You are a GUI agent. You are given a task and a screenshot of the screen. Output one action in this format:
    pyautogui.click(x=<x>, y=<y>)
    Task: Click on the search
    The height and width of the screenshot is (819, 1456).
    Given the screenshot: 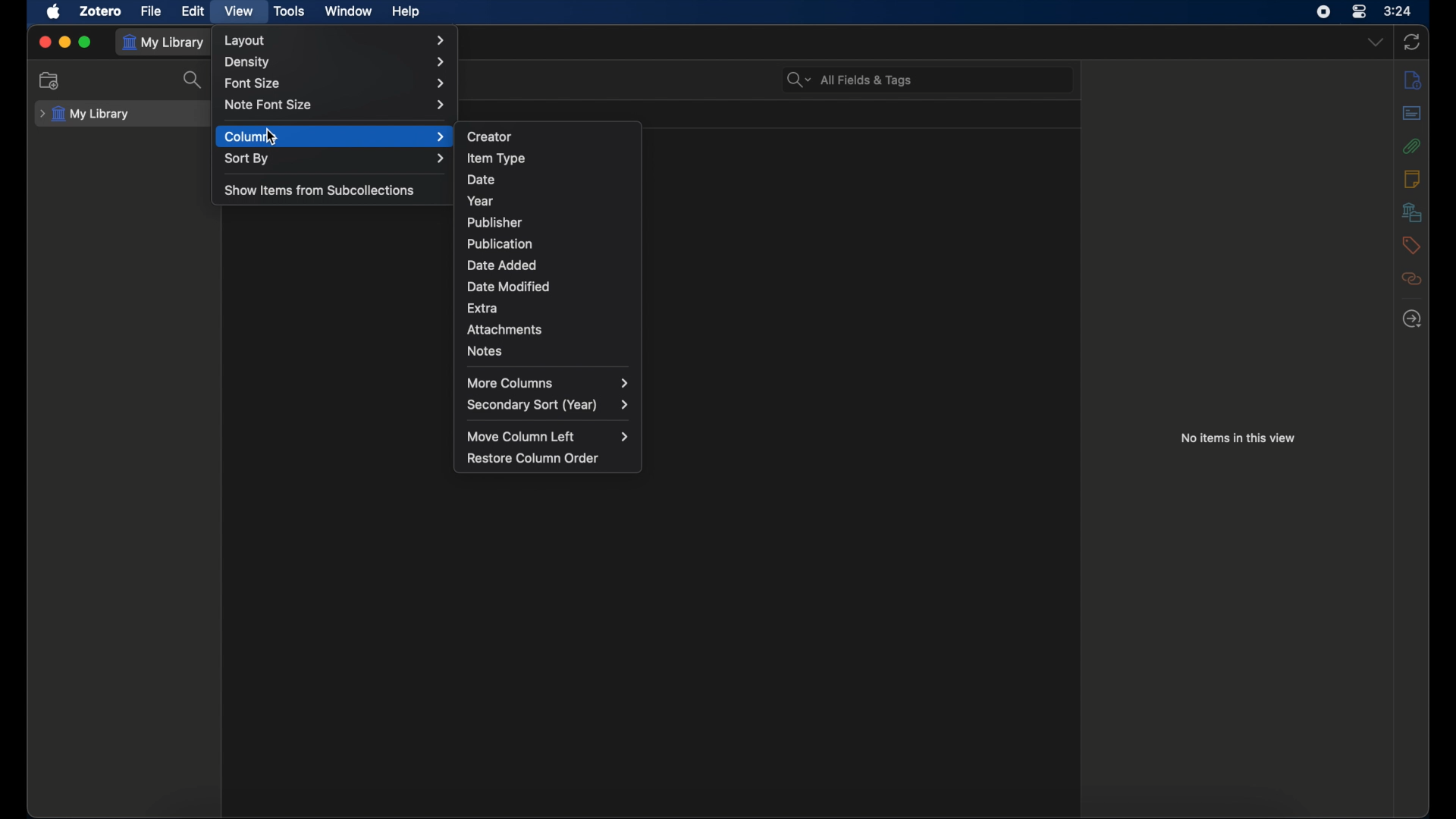 What is the action you would take?
    pyautogui.click(x=187, y=79)
    